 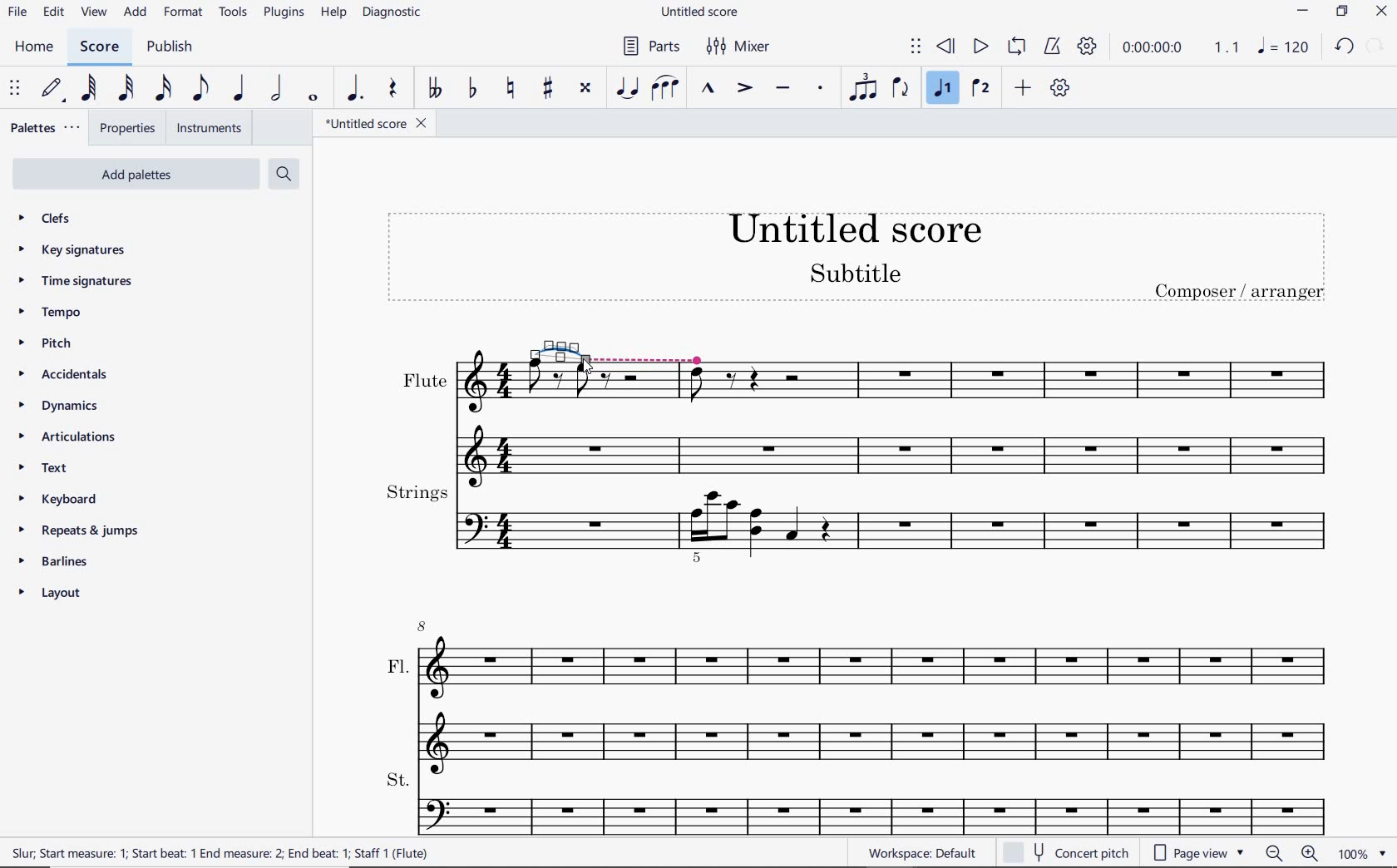 What do you see at coordinates (285, 174) in the screenshot?
I see `search palettes` at bounding box center [285, 174].